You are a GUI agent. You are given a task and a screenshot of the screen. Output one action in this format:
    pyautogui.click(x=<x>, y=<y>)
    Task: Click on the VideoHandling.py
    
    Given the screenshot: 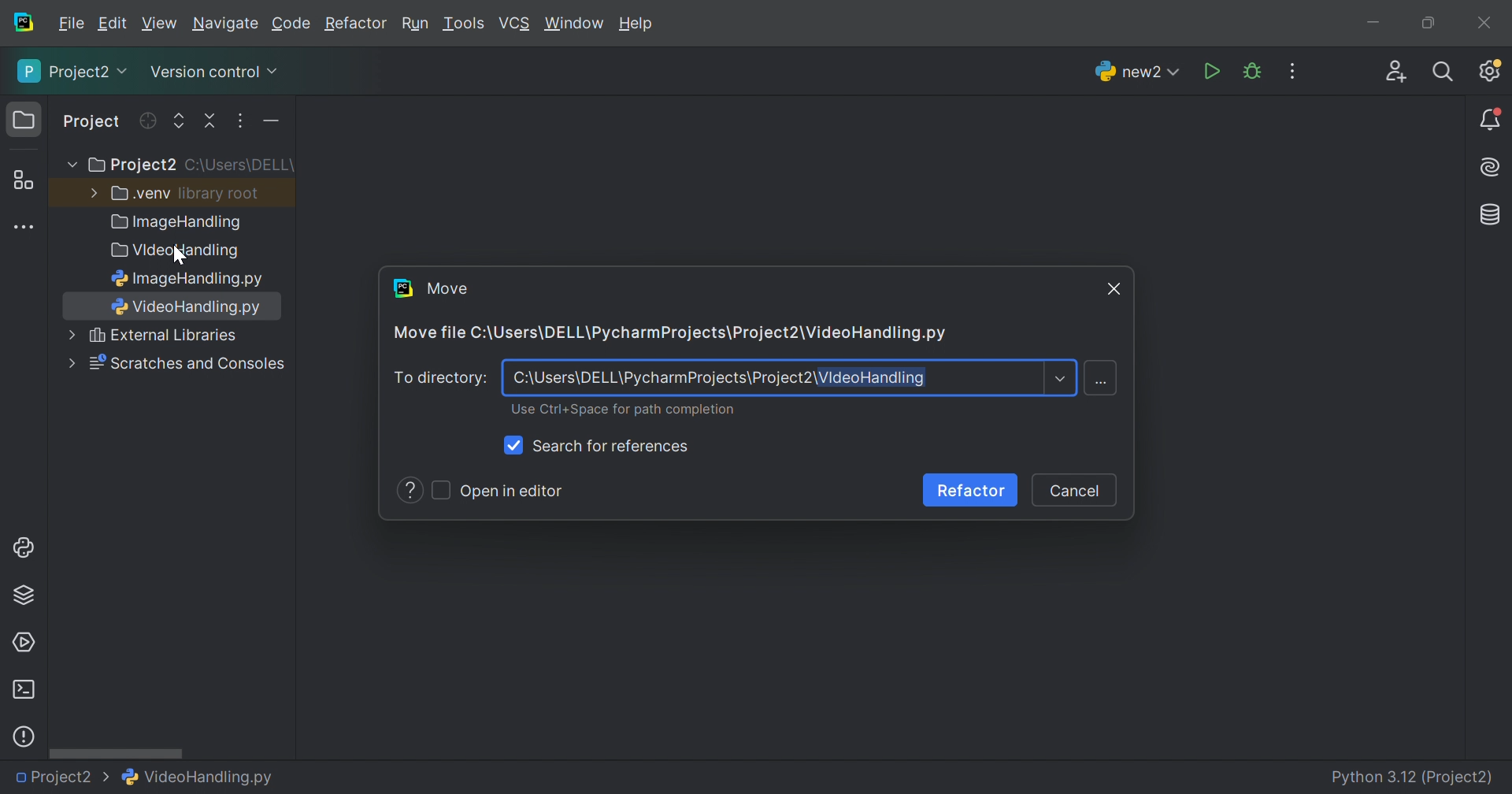 What is the action you would take?
    pyautogui.click(x=198, y=775)
    